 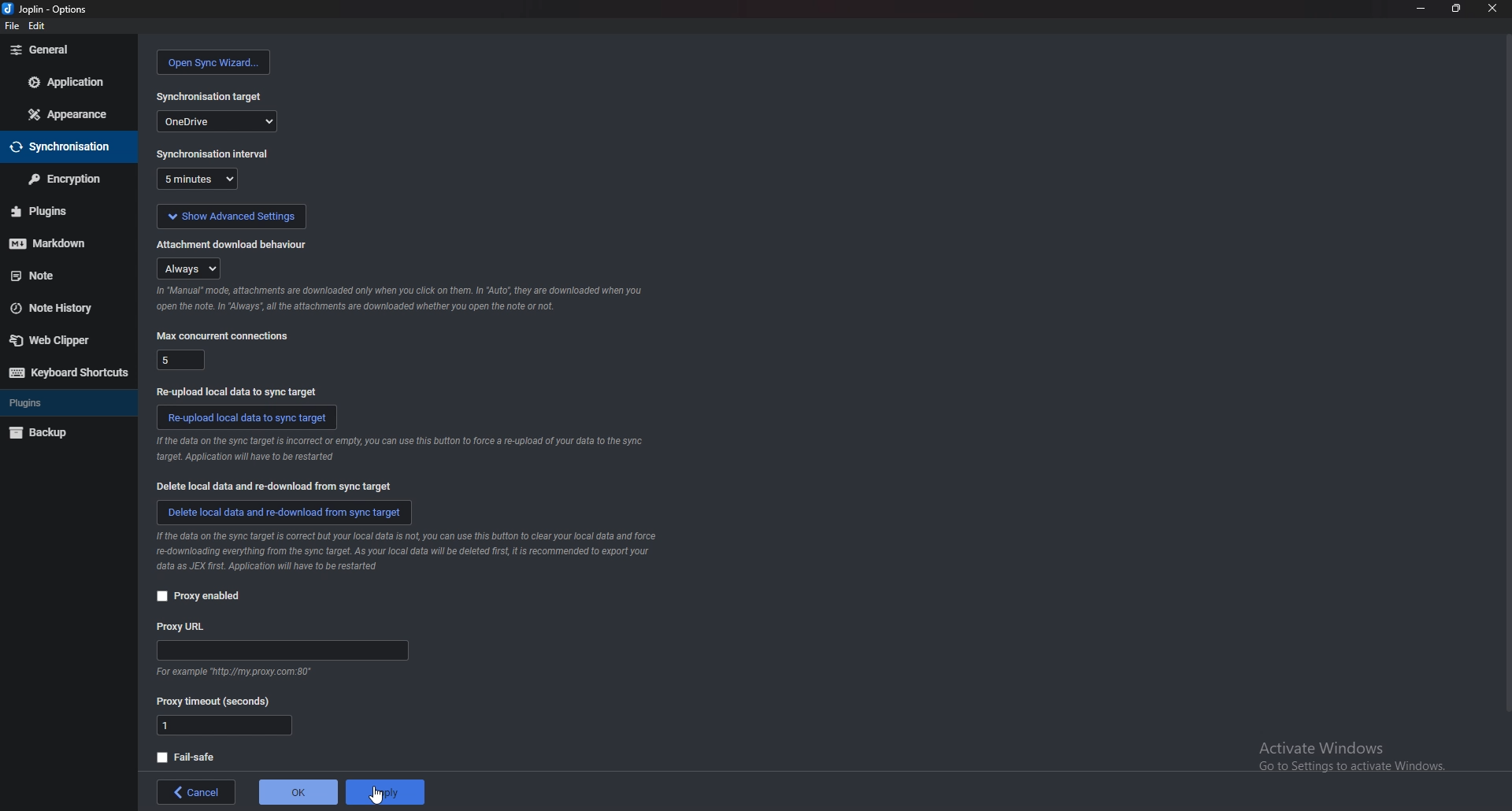 I want to click on back, so click(x=198, y=793).